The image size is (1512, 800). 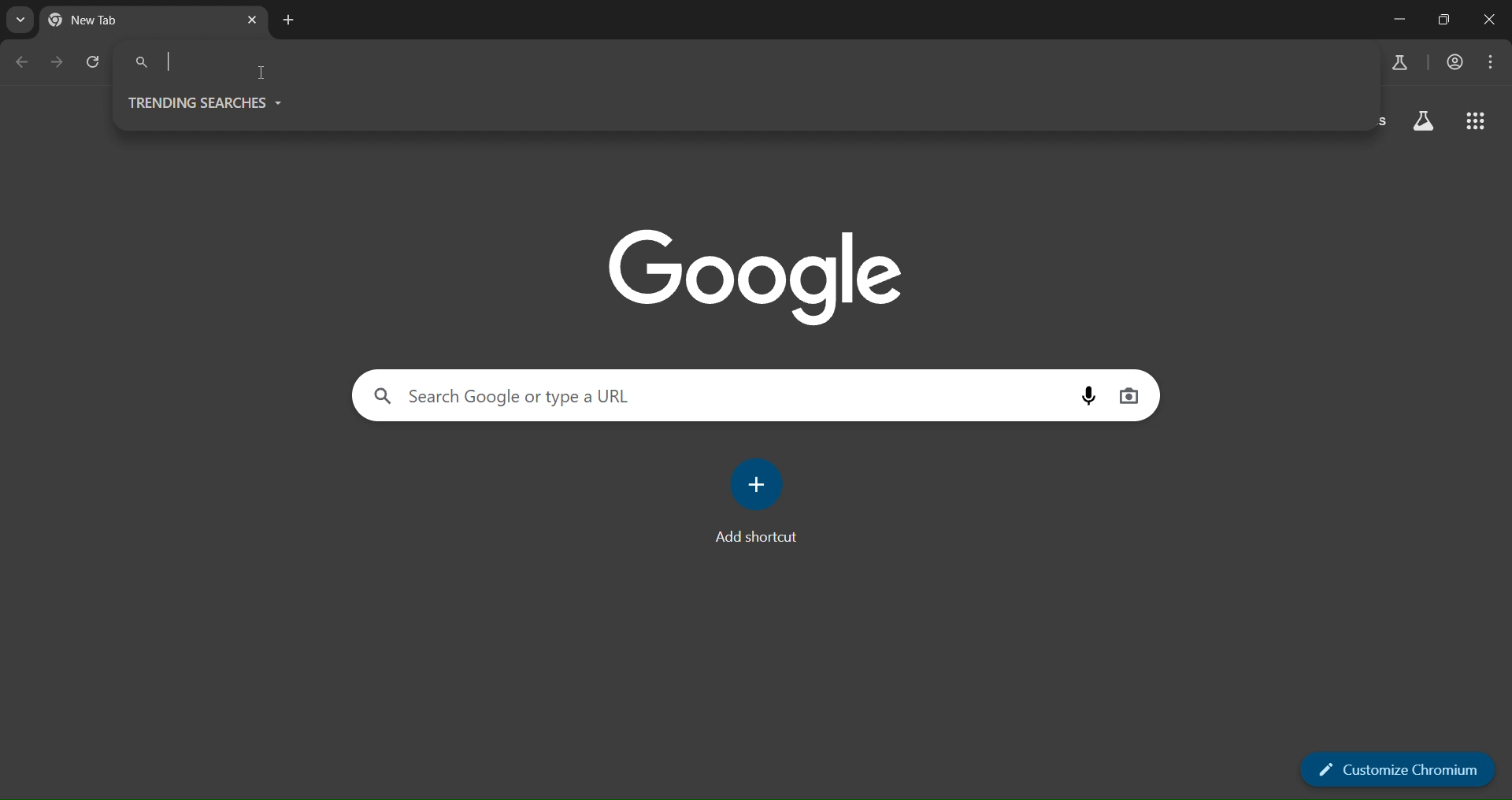 I want to click on image, so click(x=760, y=273).